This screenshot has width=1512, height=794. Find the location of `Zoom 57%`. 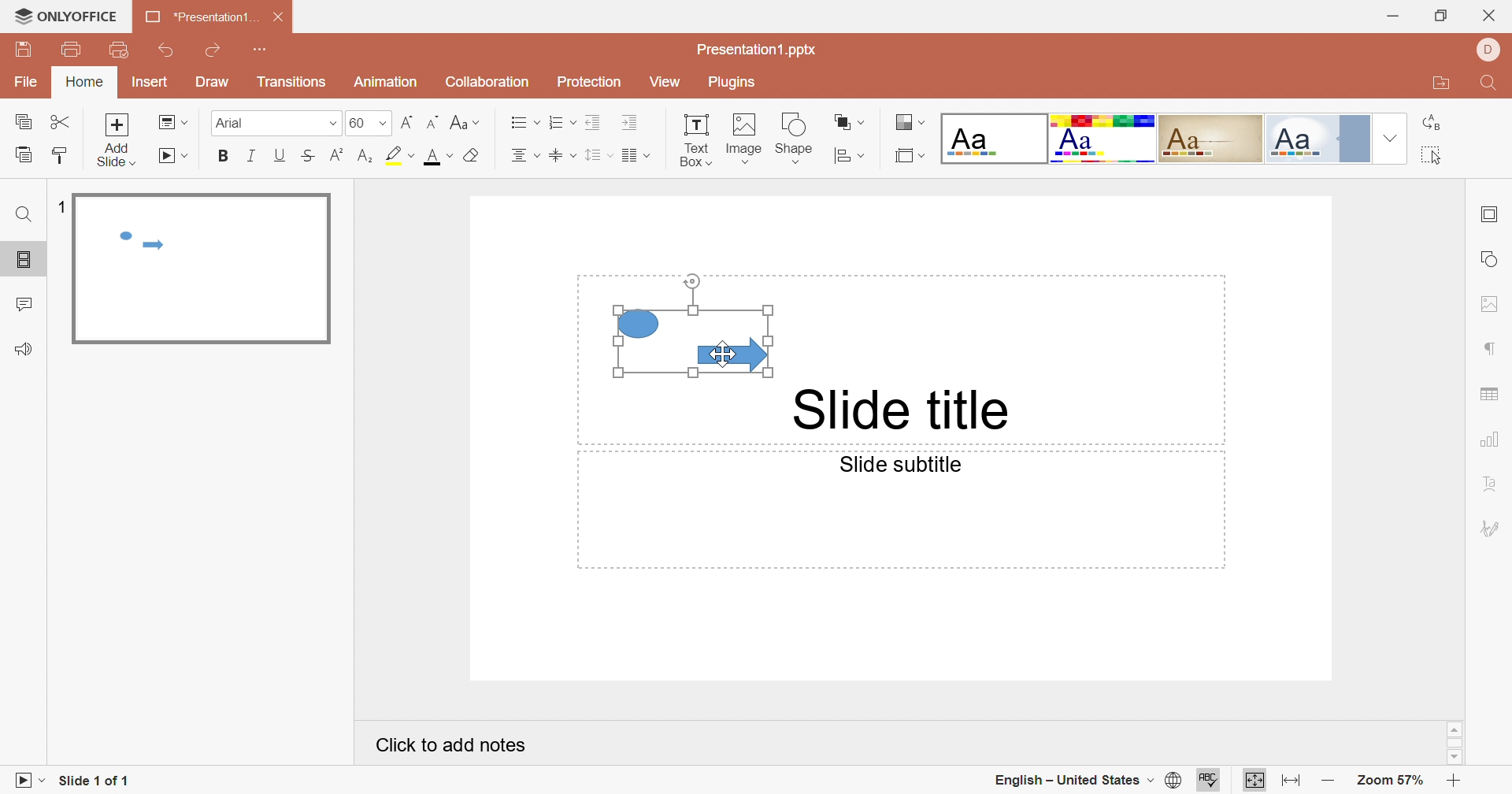

Zoom 57% is located at coordinates (1391, 783).